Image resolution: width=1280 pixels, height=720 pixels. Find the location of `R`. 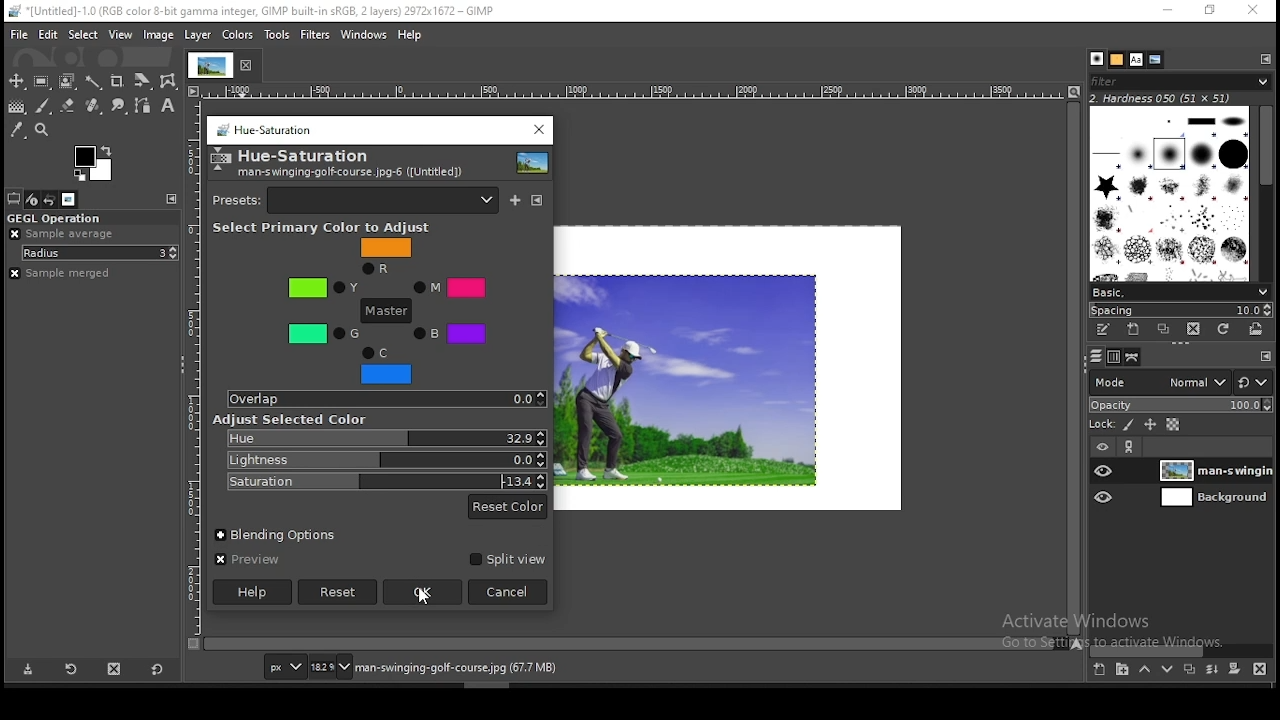

R is located at coordinates (385, 256).